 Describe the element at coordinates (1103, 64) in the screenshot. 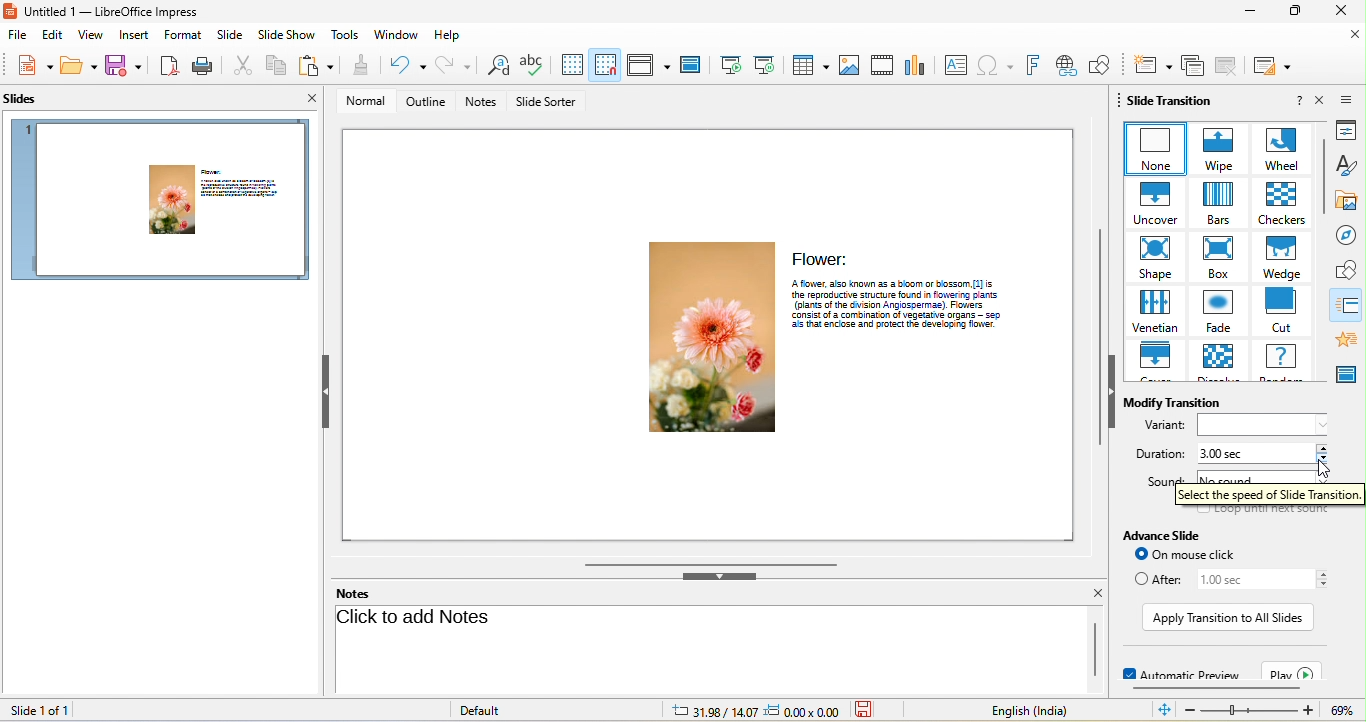

I see `show draw function` at that location.